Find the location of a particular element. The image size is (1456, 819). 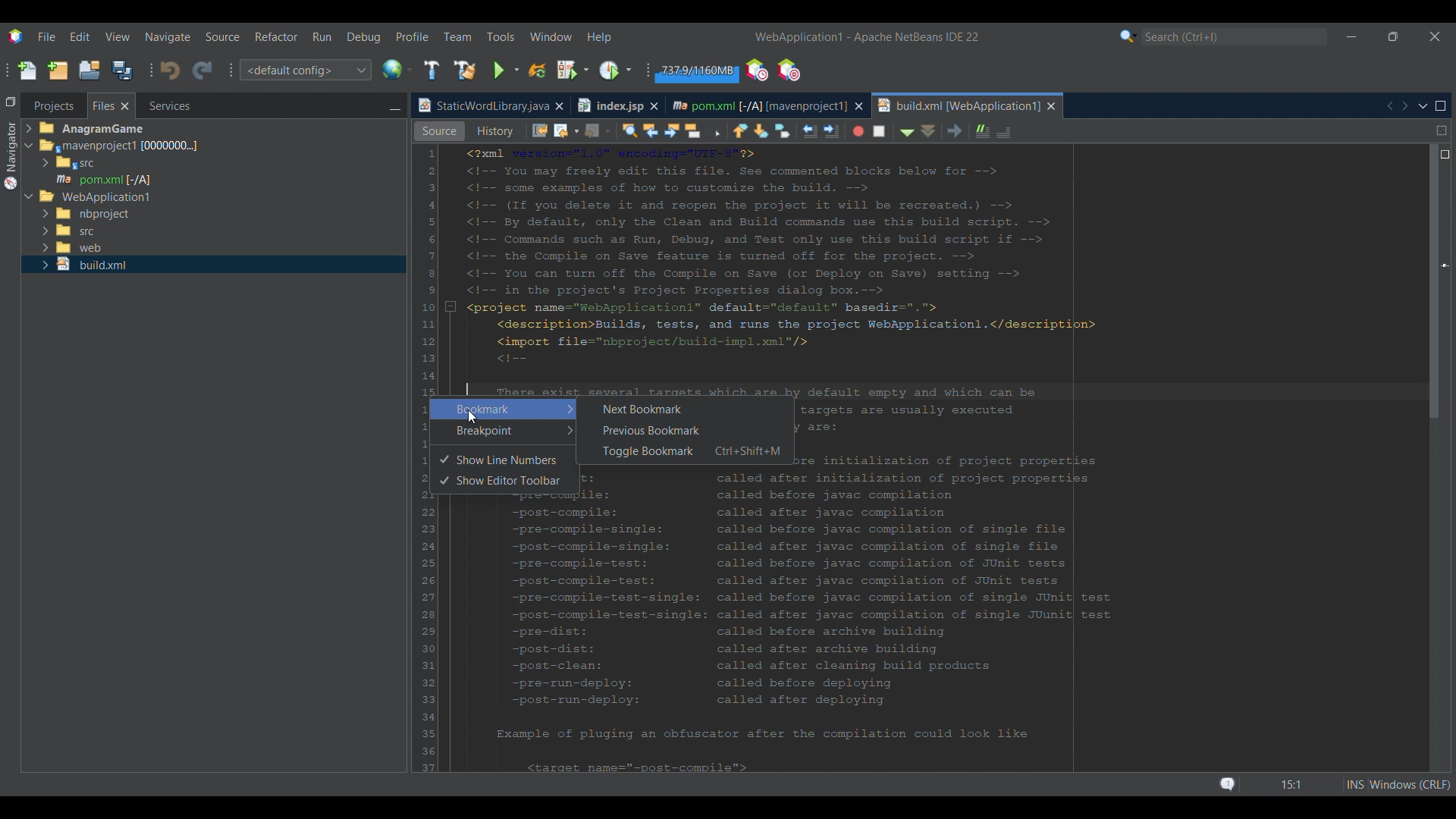

Projects tab is located at coordinates (53, 105).